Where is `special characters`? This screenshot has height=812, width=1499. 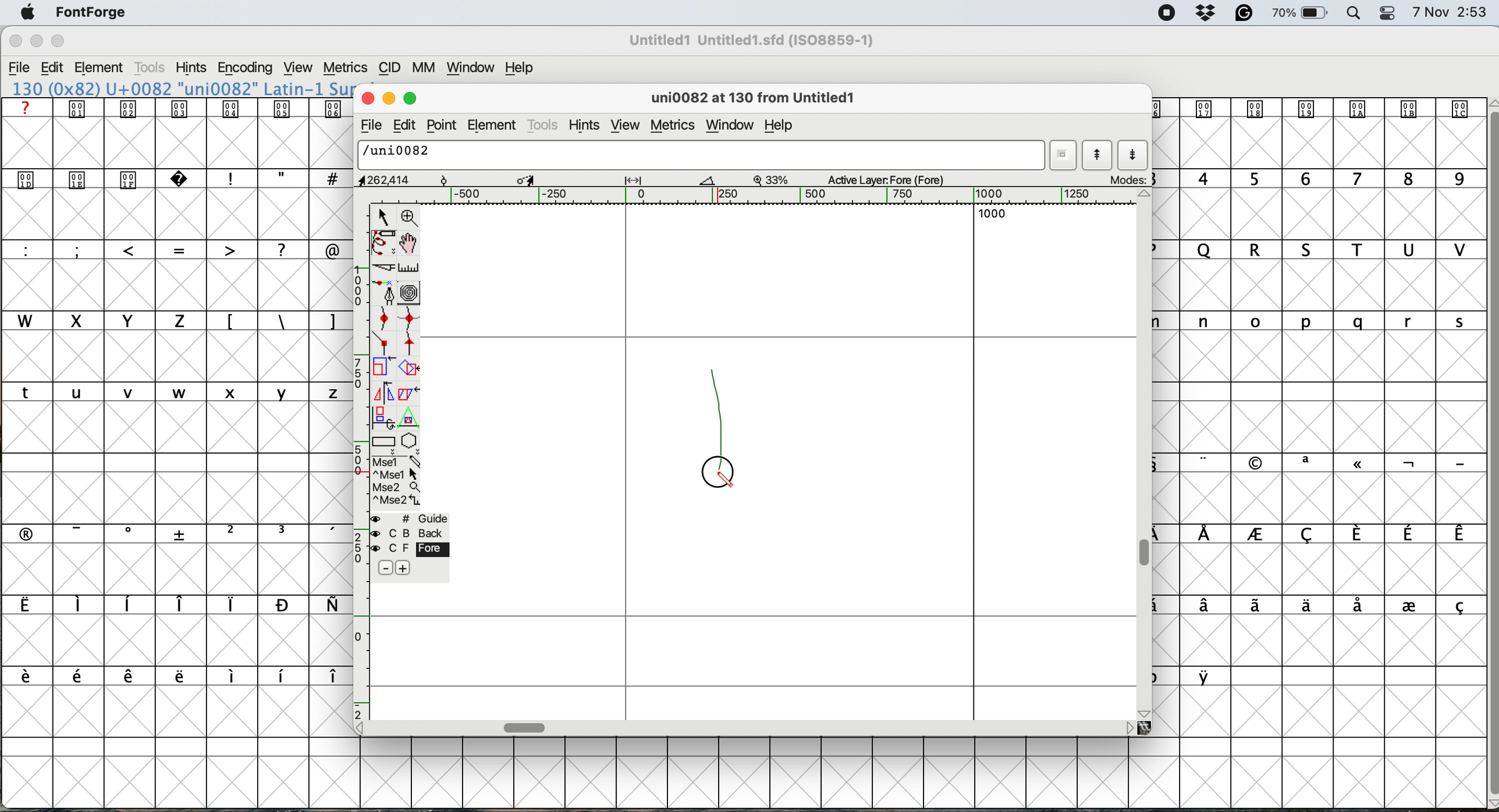
special characters is located at coordinates (279, 178).